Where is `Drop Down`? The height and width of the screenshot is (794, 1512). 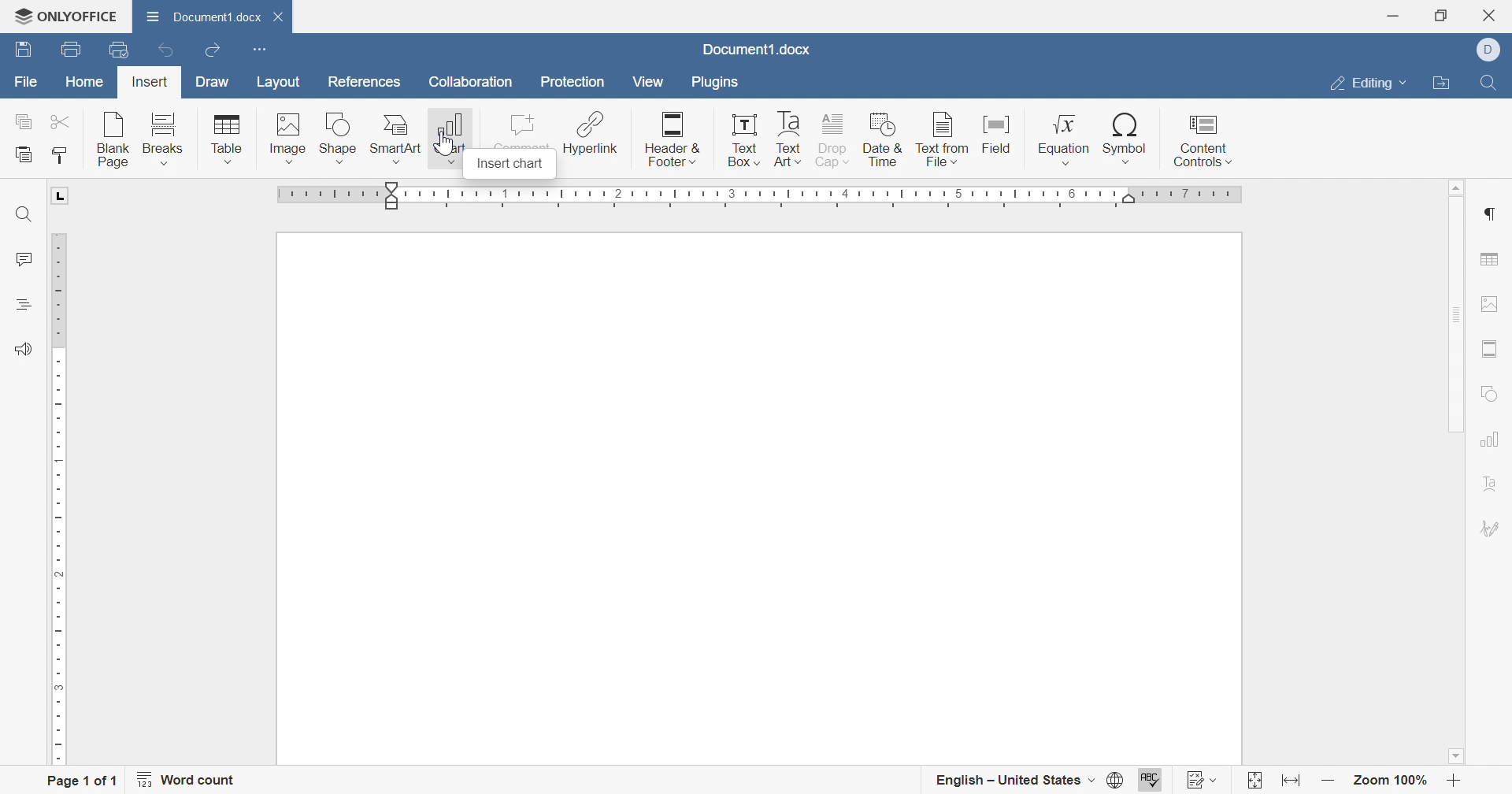 Drop Down is located at coordinates (1091, 780).